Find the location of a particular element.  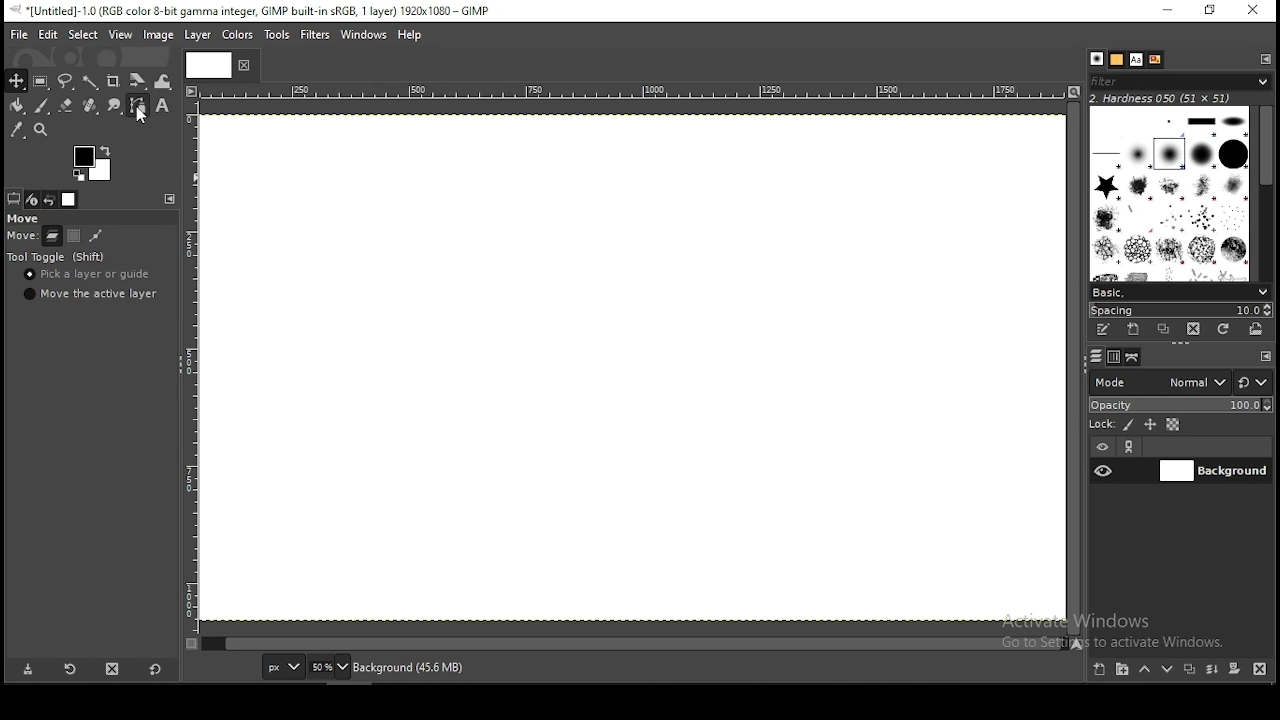

save tool preset is located at coordinates (25, 670).